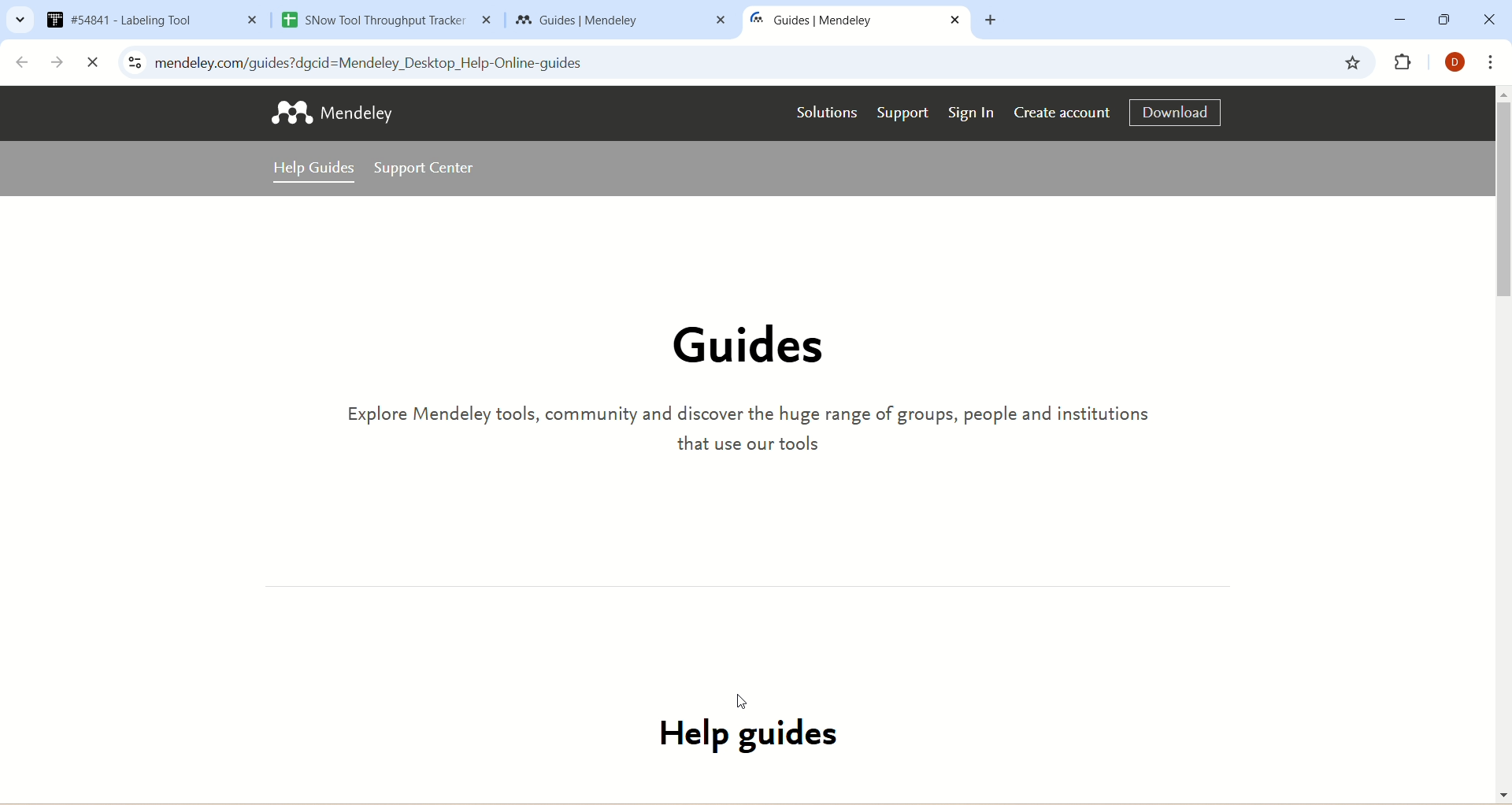 The image size is (1512, 805). Describe the element at coordinates (743, 743) in the screenshot. I see `help guides` at that location.